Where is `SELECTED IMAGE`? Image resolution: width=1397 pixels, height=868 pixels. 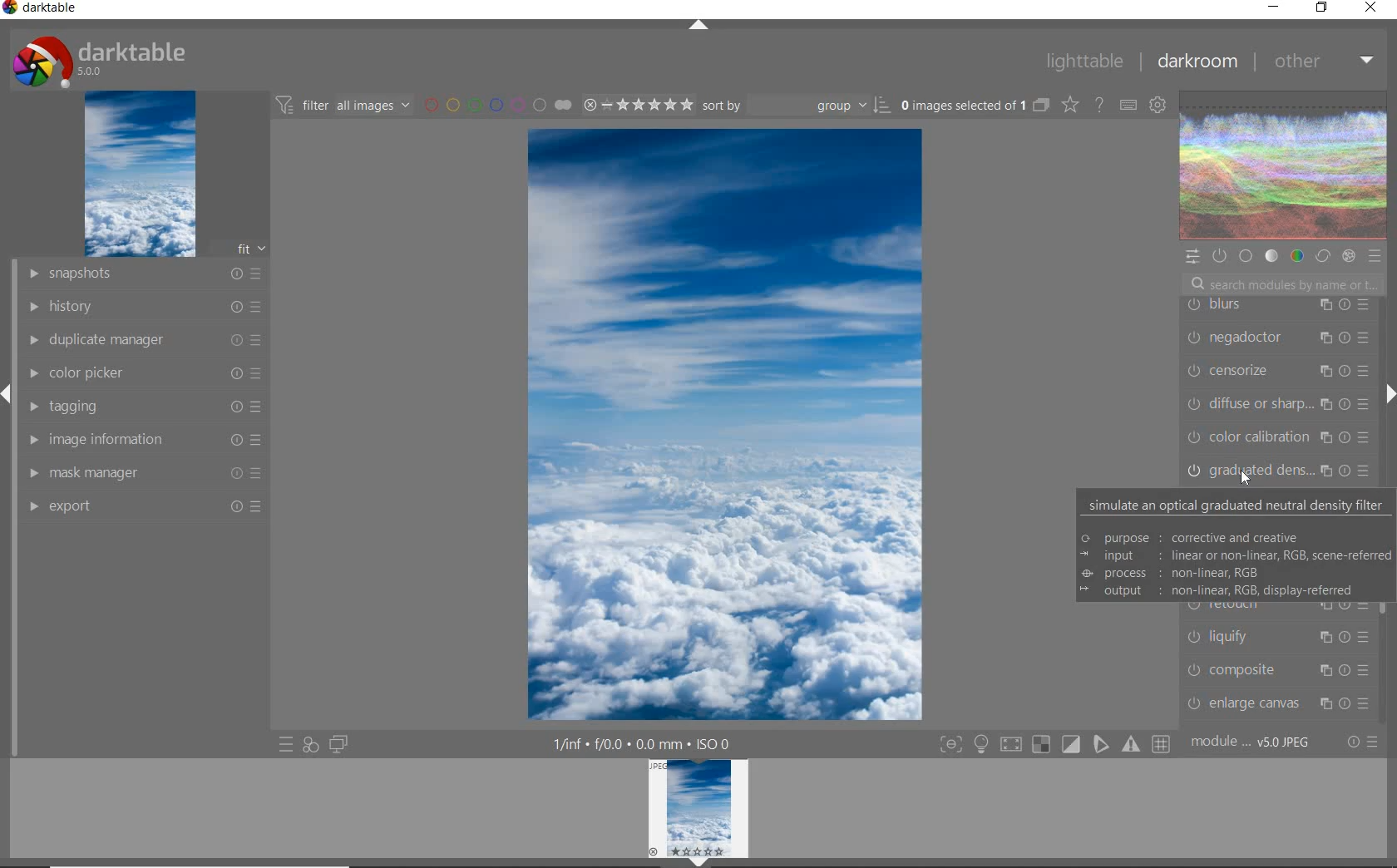 SELECTED IMAGE is located at coordinates (725, 424).